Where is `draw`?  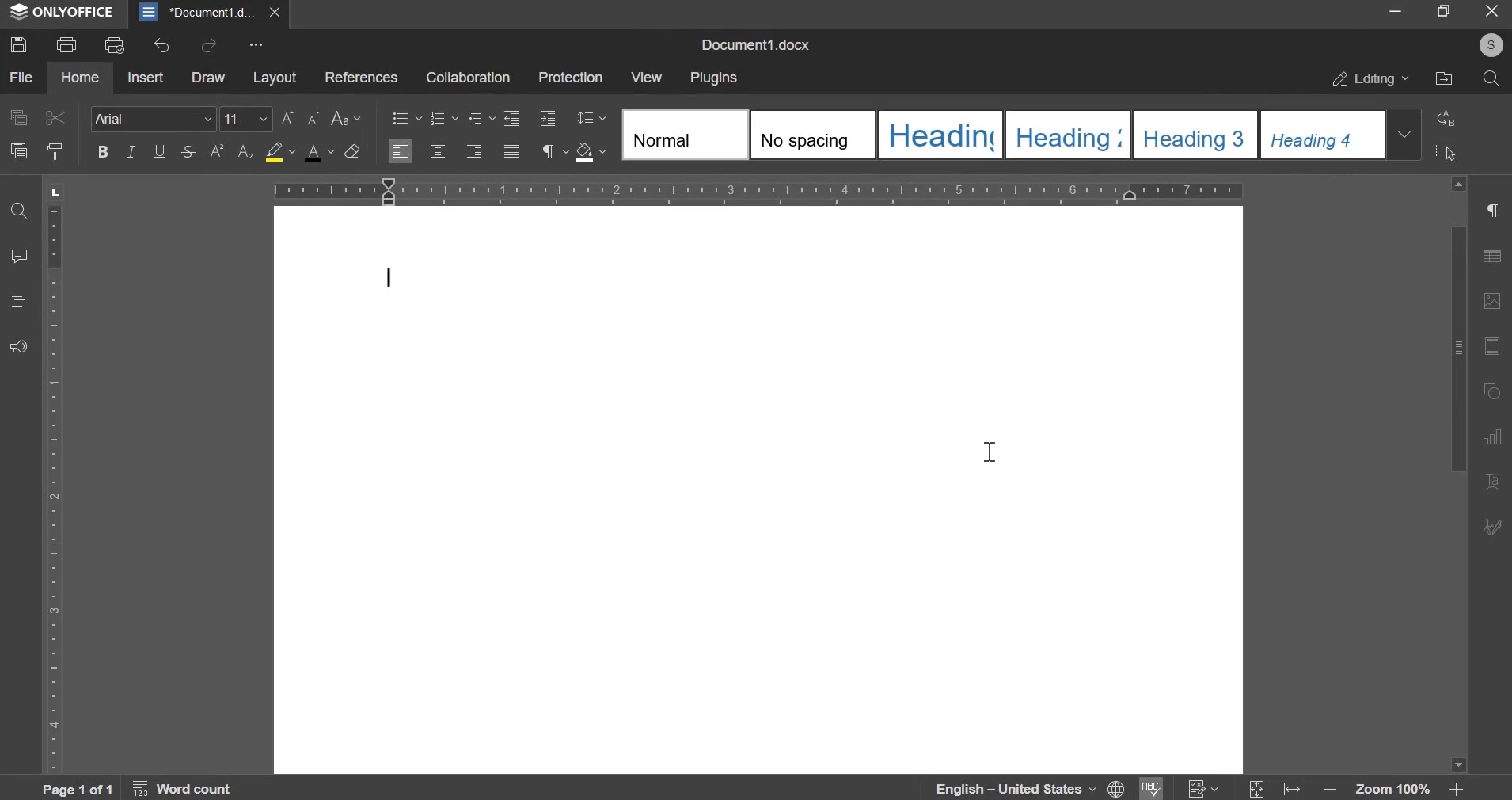 draw is located at coordinates (1494, 528).